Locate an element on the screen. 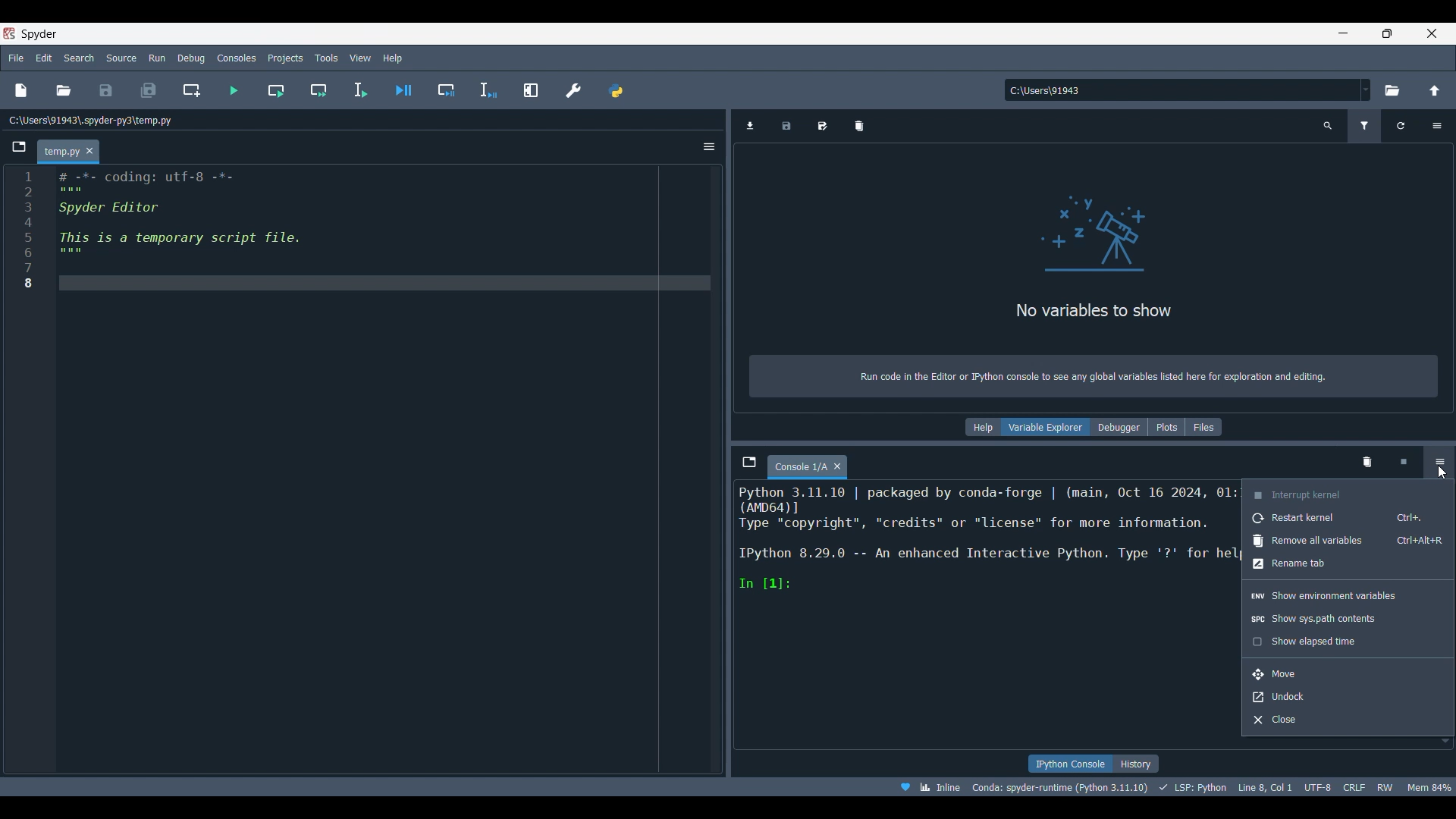  Search variable names and types is located at coordinates (1328, 126).